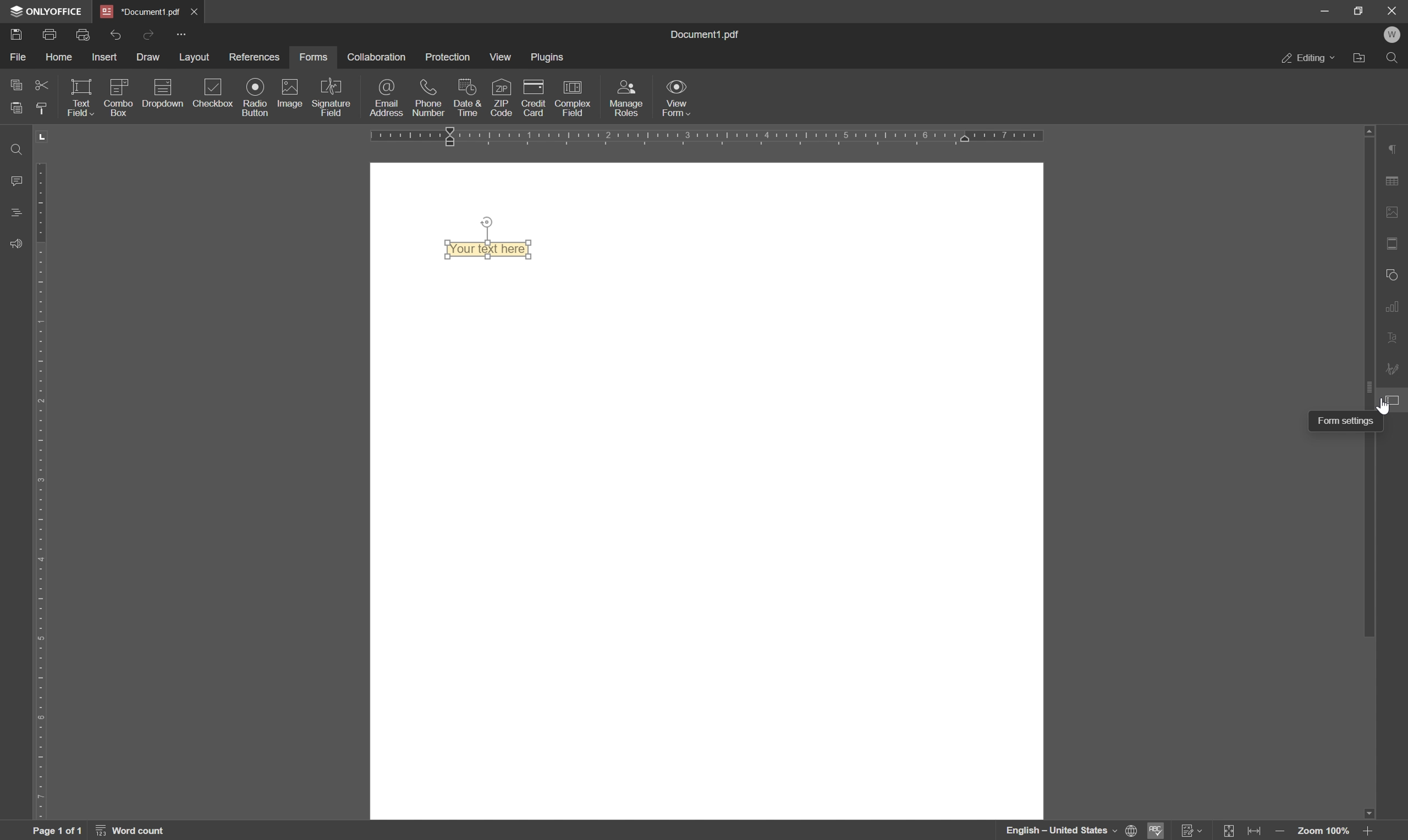  Describe the element at coordinates (1358, 10) in the screenshot. I see `restore down` at that location.